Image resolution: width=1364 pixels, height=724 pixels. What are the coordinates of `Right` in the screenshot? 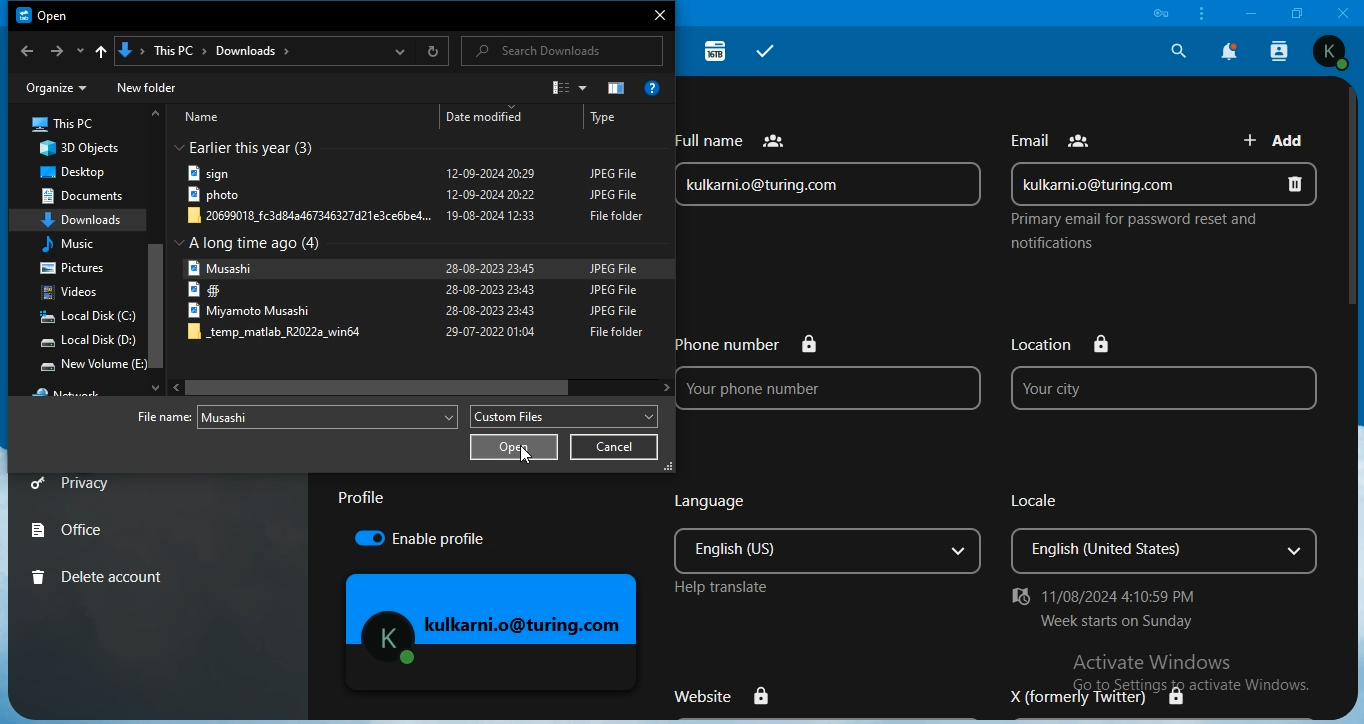 It's located at (656, 383).